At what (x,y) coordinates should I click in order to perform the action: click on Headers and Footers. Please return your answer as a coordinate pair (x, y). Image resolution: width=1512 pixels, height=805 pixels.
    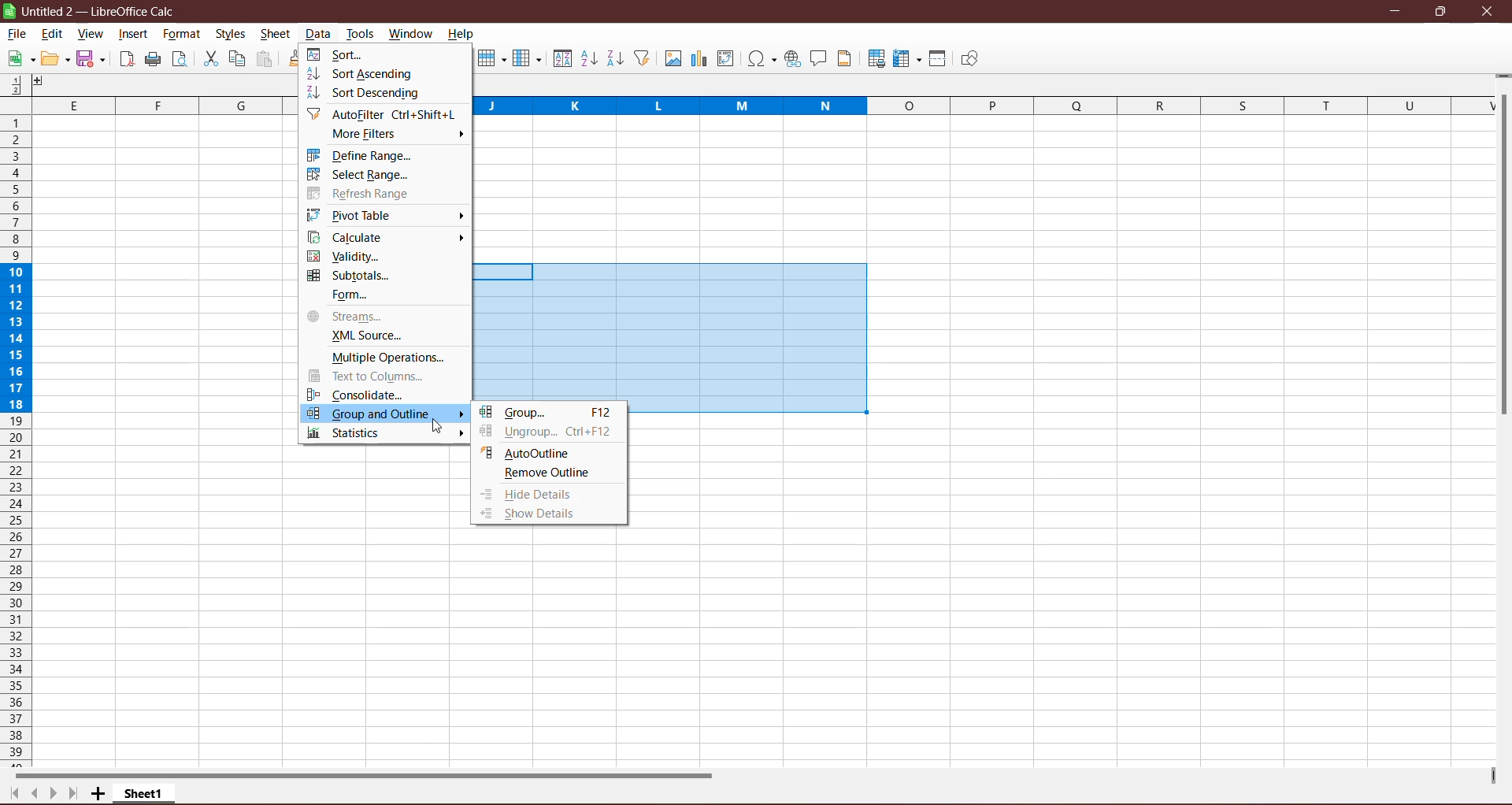
    Looking at the image, I should click on (847, 58).